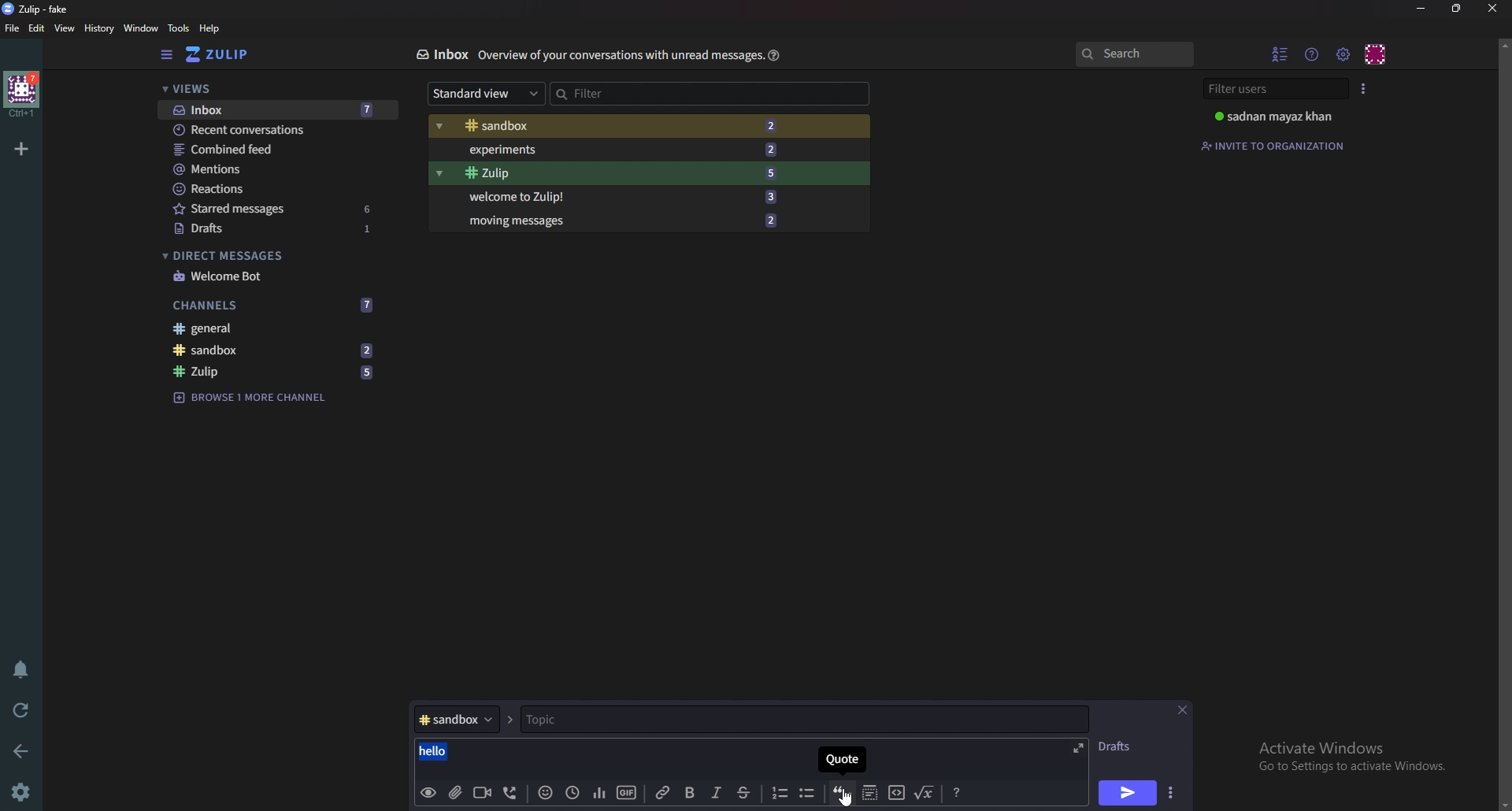 The height and width of the screenshot is (811, 1512). I want to click on Edit, so click(37, 28).